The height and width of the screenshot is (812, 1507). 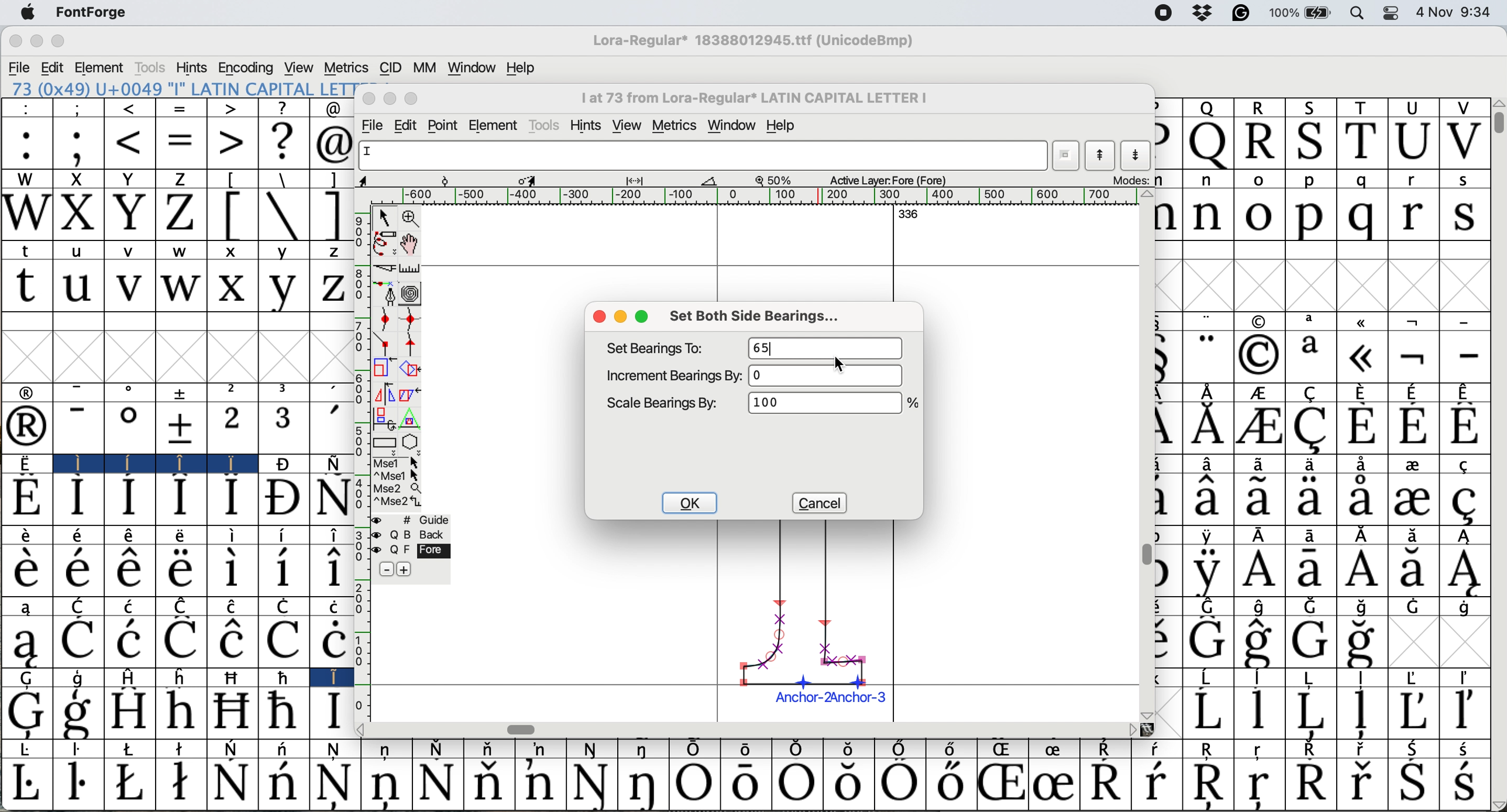 What do you see at coordinates (1207, 499) in the screenshot?
I see `Symbol` at bounding box center [1207, 499].